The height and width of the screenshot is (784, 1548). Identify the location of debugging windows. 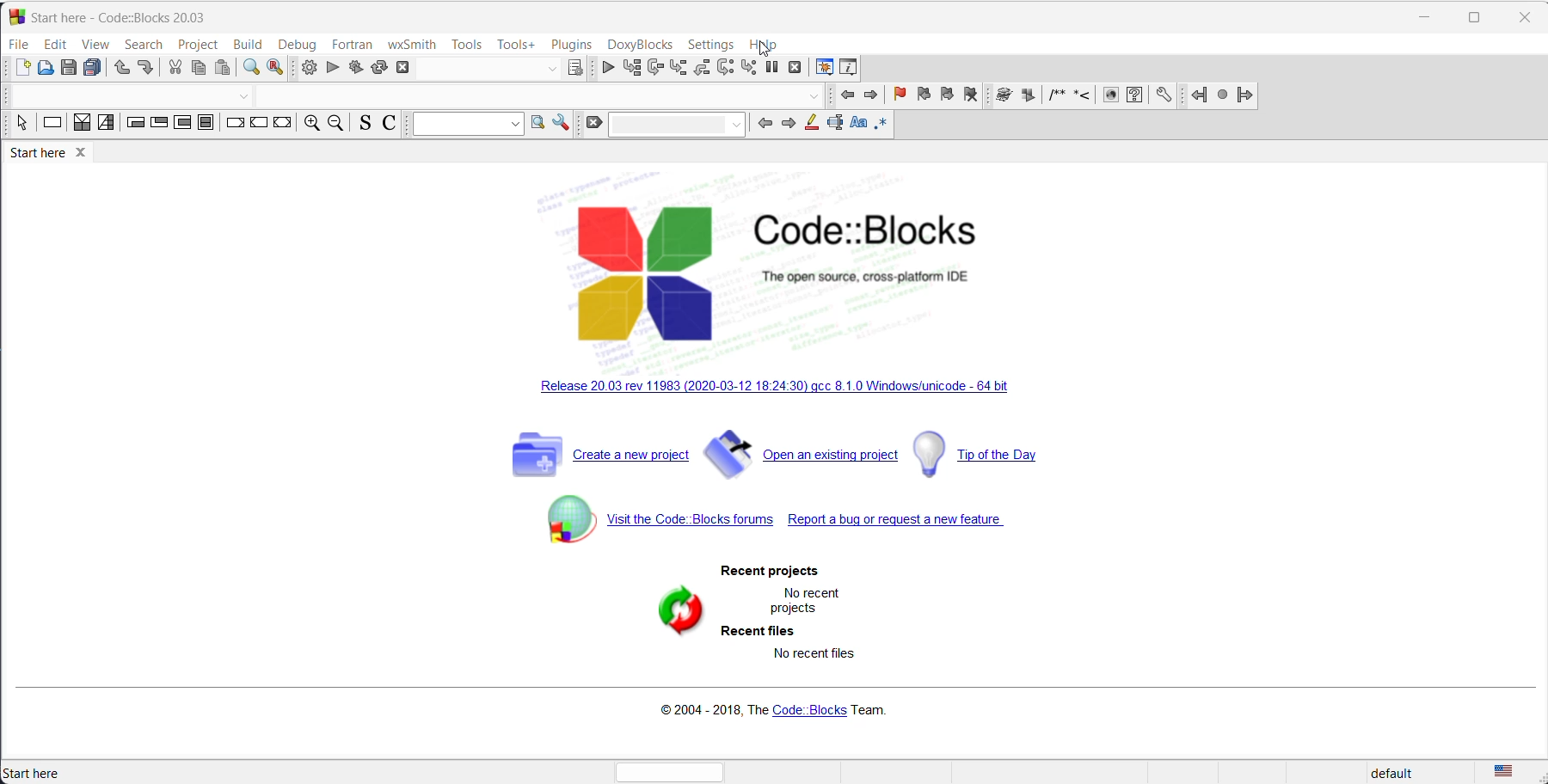
(823, 68).